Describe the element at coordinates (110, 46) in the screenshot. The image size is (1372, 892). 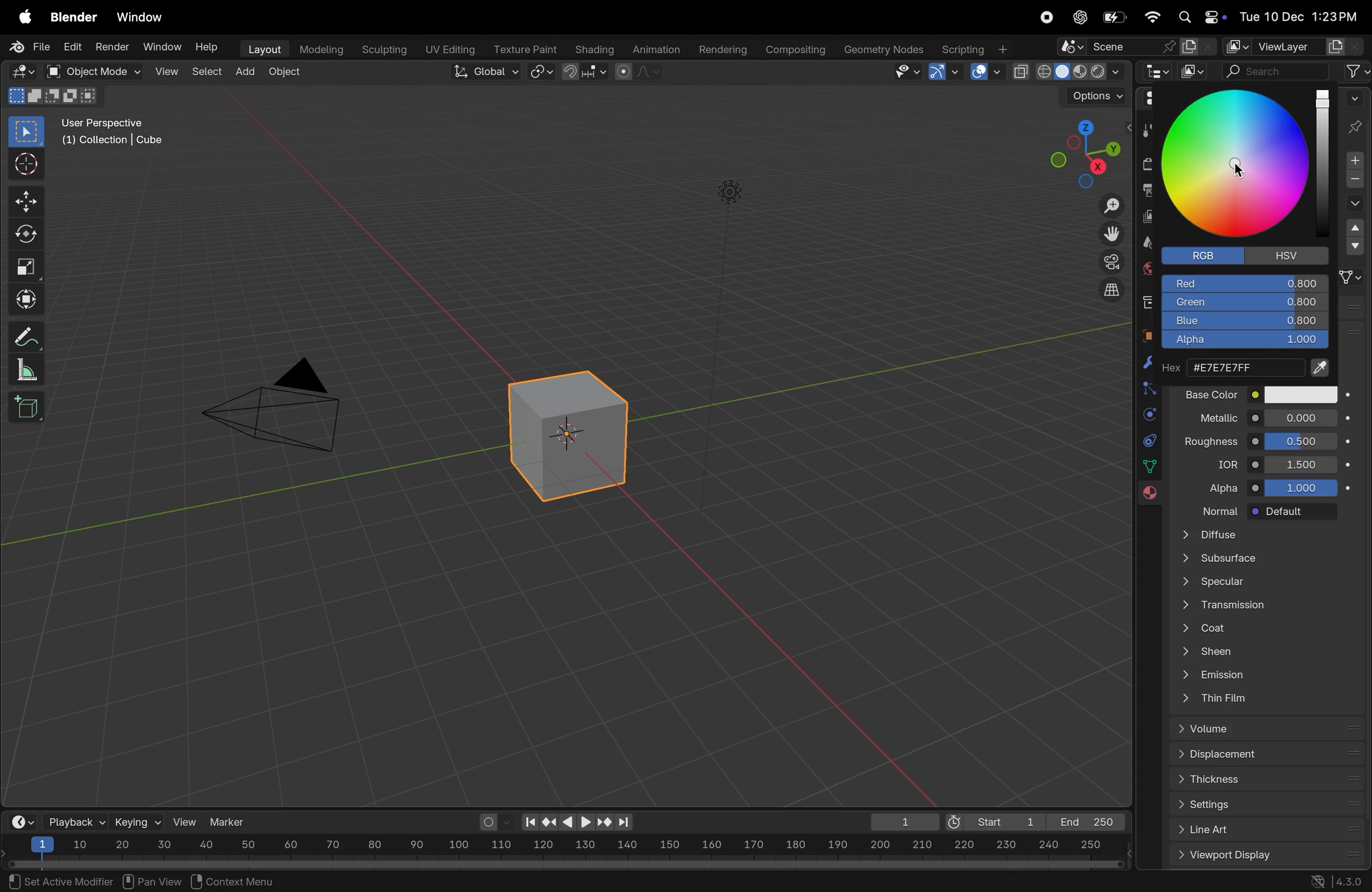
I see `render` at that location.